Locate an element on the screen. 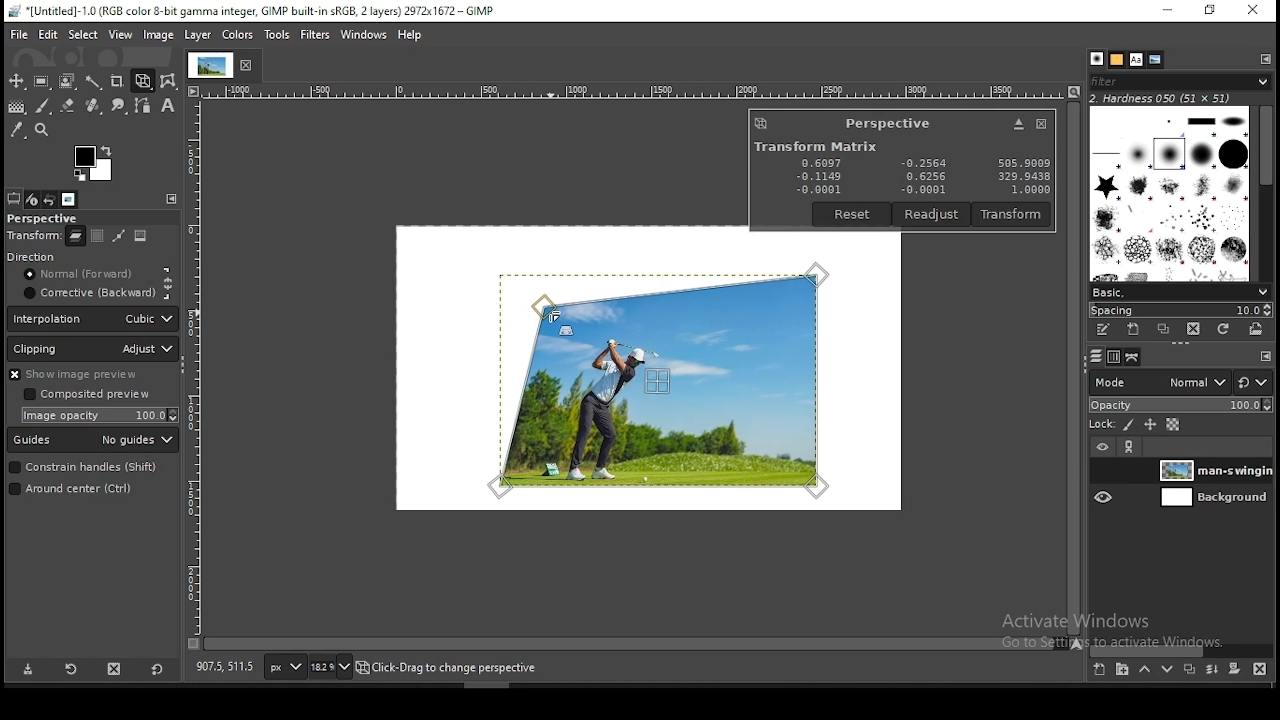 The image size is (1280, 720). man-swinging-golf-course.jpg (82.5) is located at coordinates (457, 670).